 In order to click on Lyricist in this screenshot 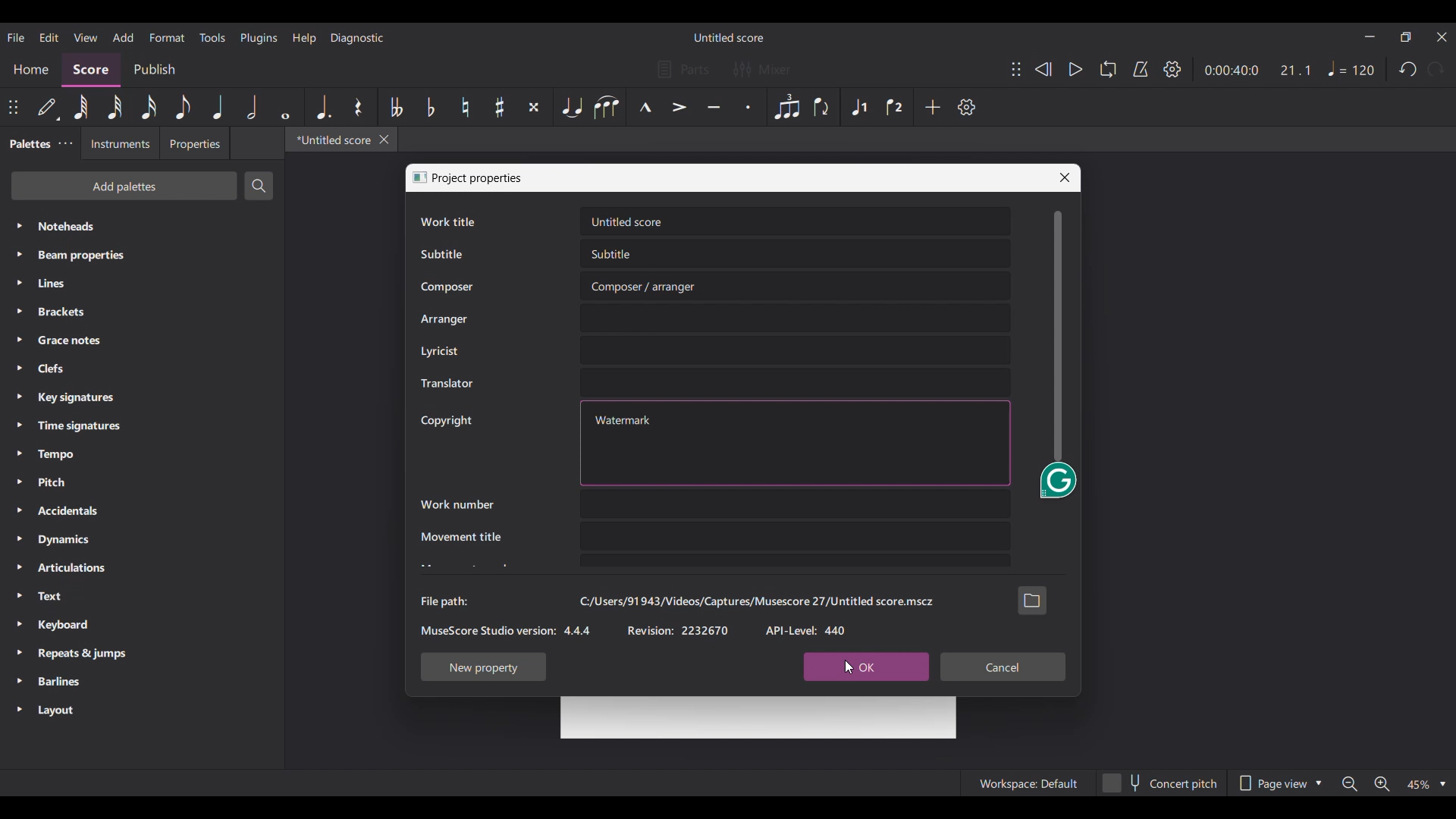, I will do `click(439, 351)`.